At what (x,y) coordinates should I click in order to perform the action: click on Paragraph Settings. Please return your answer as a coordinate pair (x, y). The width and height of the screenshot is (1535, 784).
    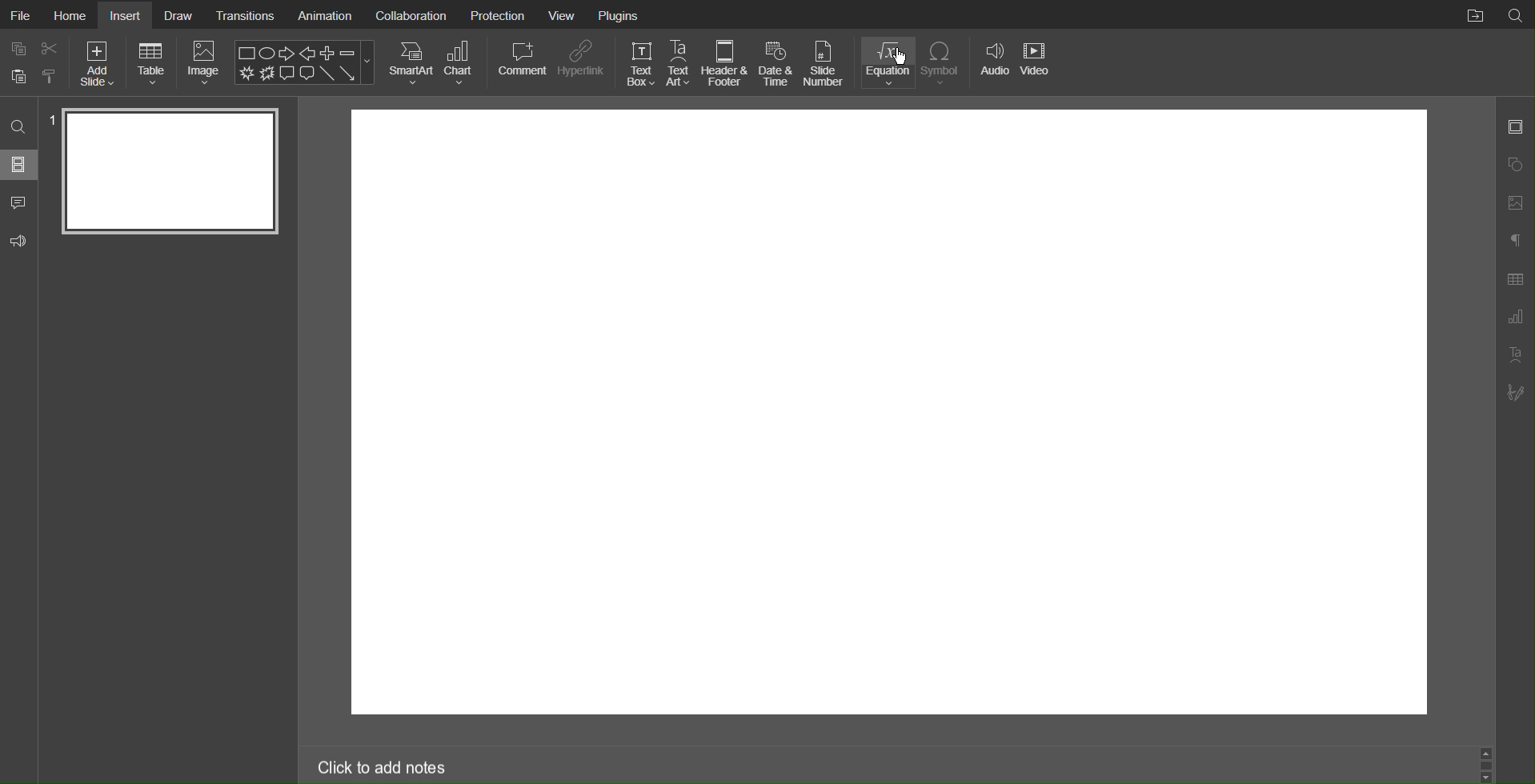
    Looking at the image, I should click on (1513, 241).